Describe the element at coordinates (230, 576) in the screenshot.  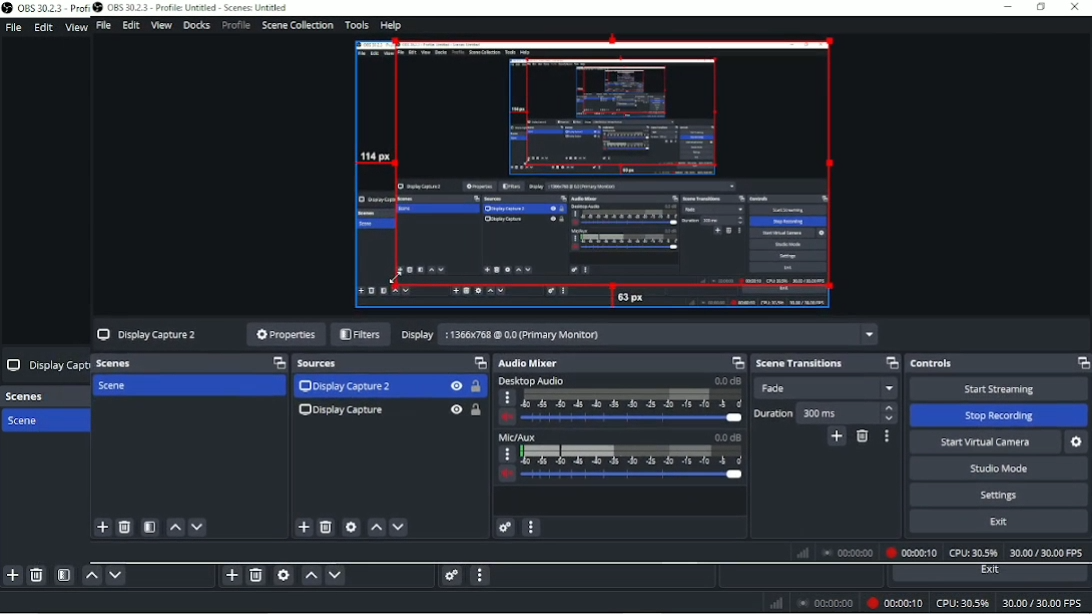
I see `Add source` at that location.